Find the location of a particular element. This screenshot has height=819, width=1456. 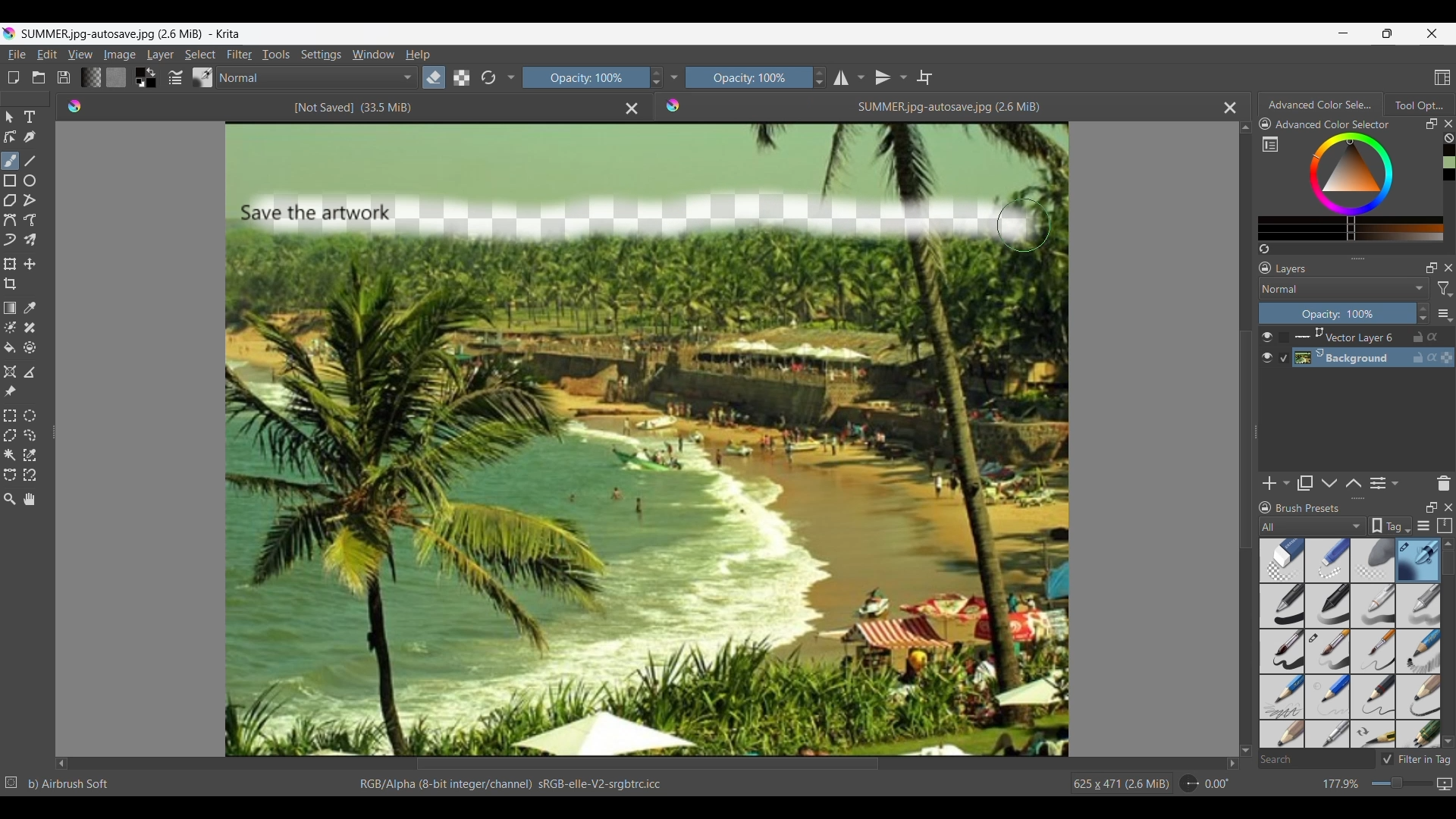

Dial to change rotation is located at coordinates (1189, 783).